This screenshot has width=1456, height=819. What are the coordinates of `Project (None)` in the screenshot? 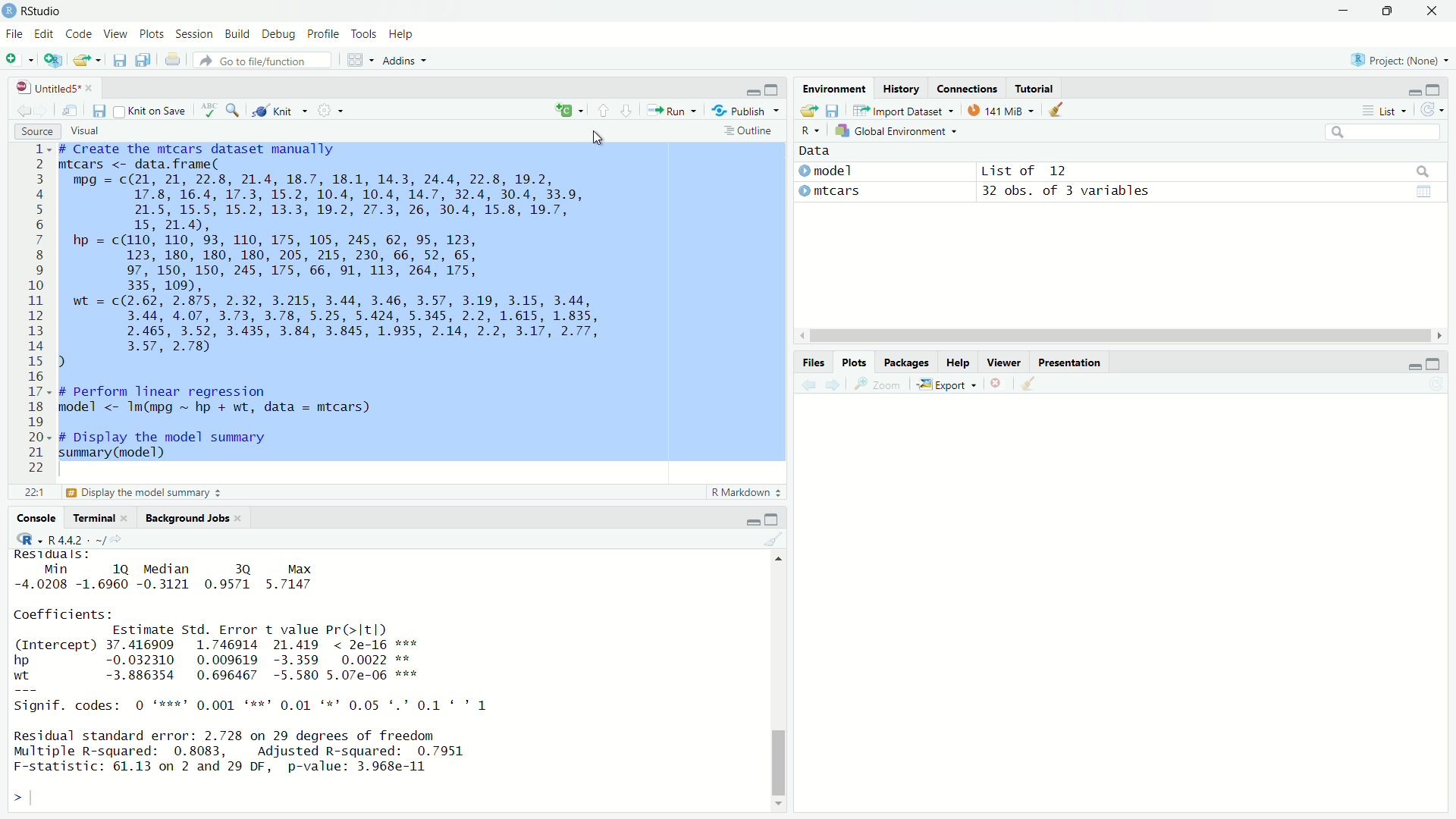 It's located at (1394, 60).